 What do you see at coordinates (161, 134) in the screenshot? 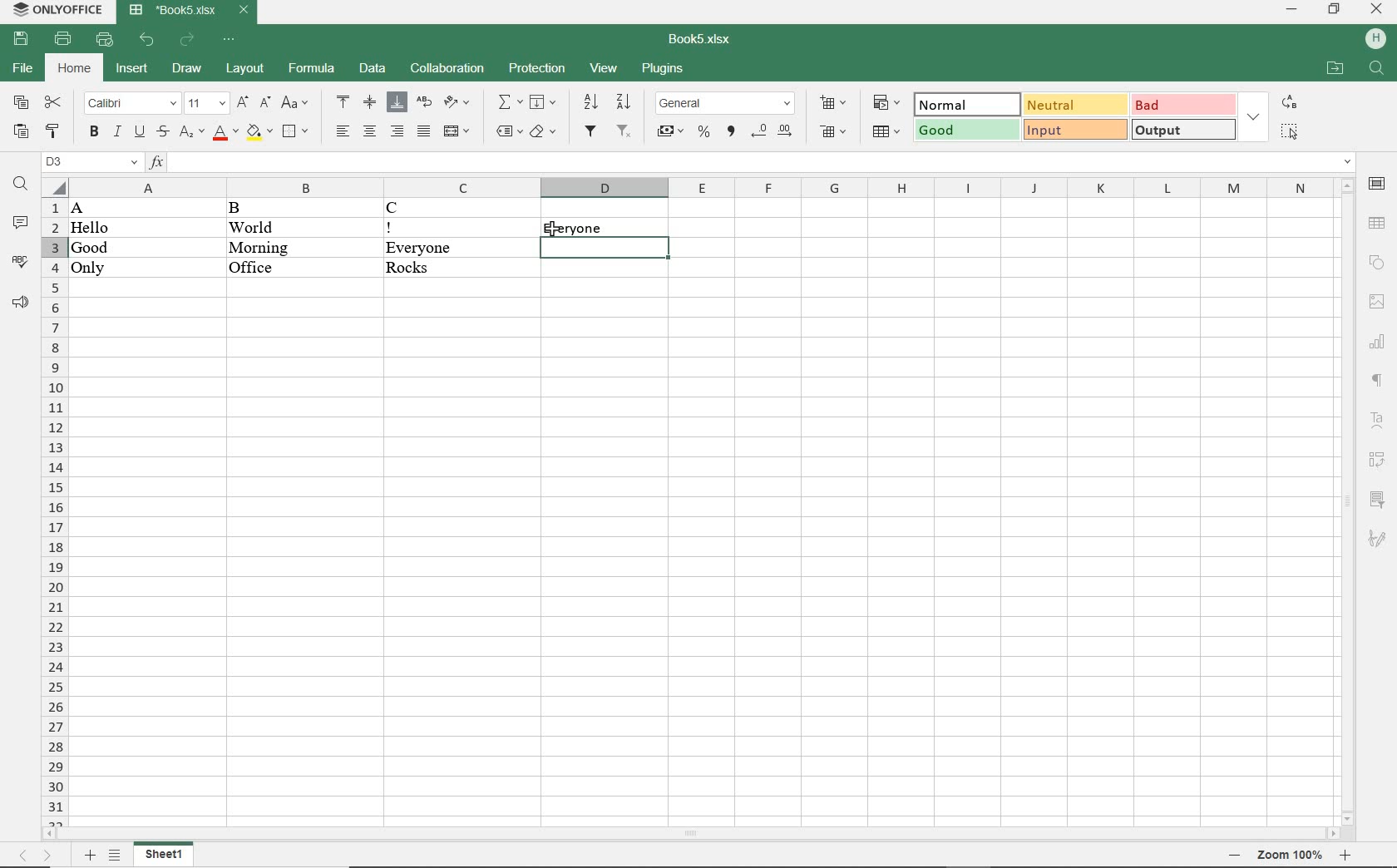
I see `strikethrough` at bounding box center [161, 134].